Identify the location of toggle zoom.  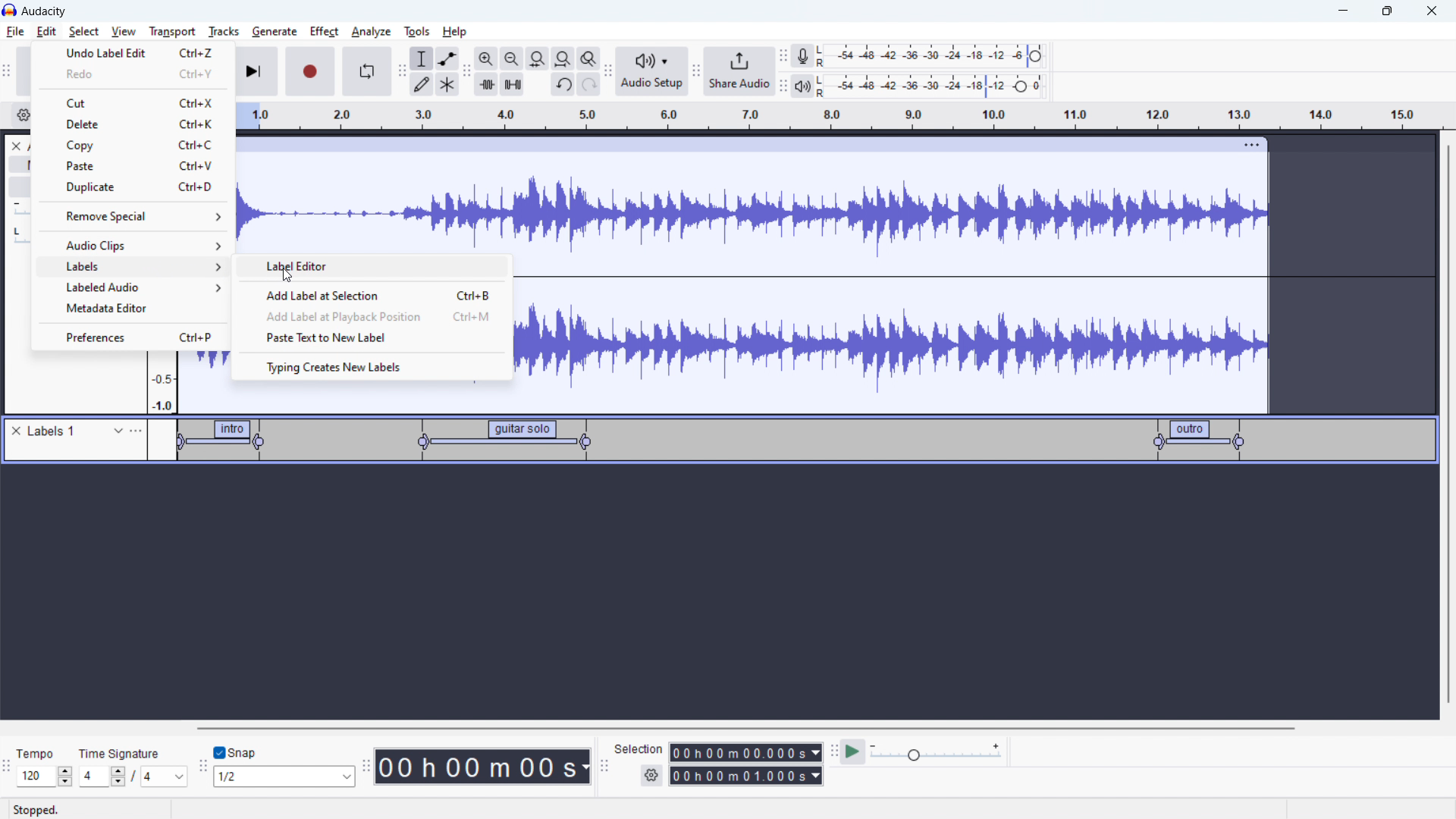
(588, 58).